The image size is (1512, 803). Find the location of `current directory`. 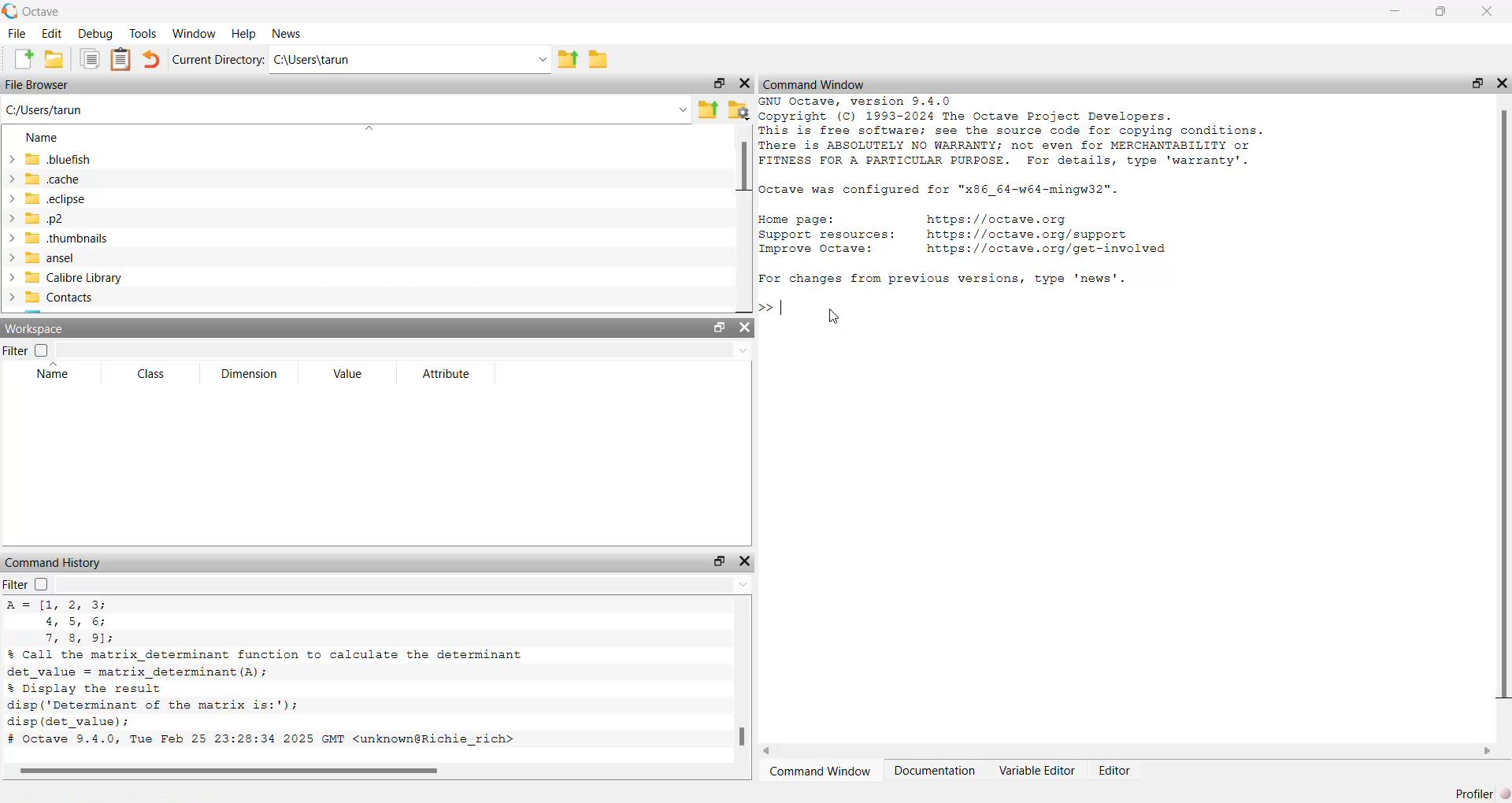

current directory is located at coordinates (218, 58).